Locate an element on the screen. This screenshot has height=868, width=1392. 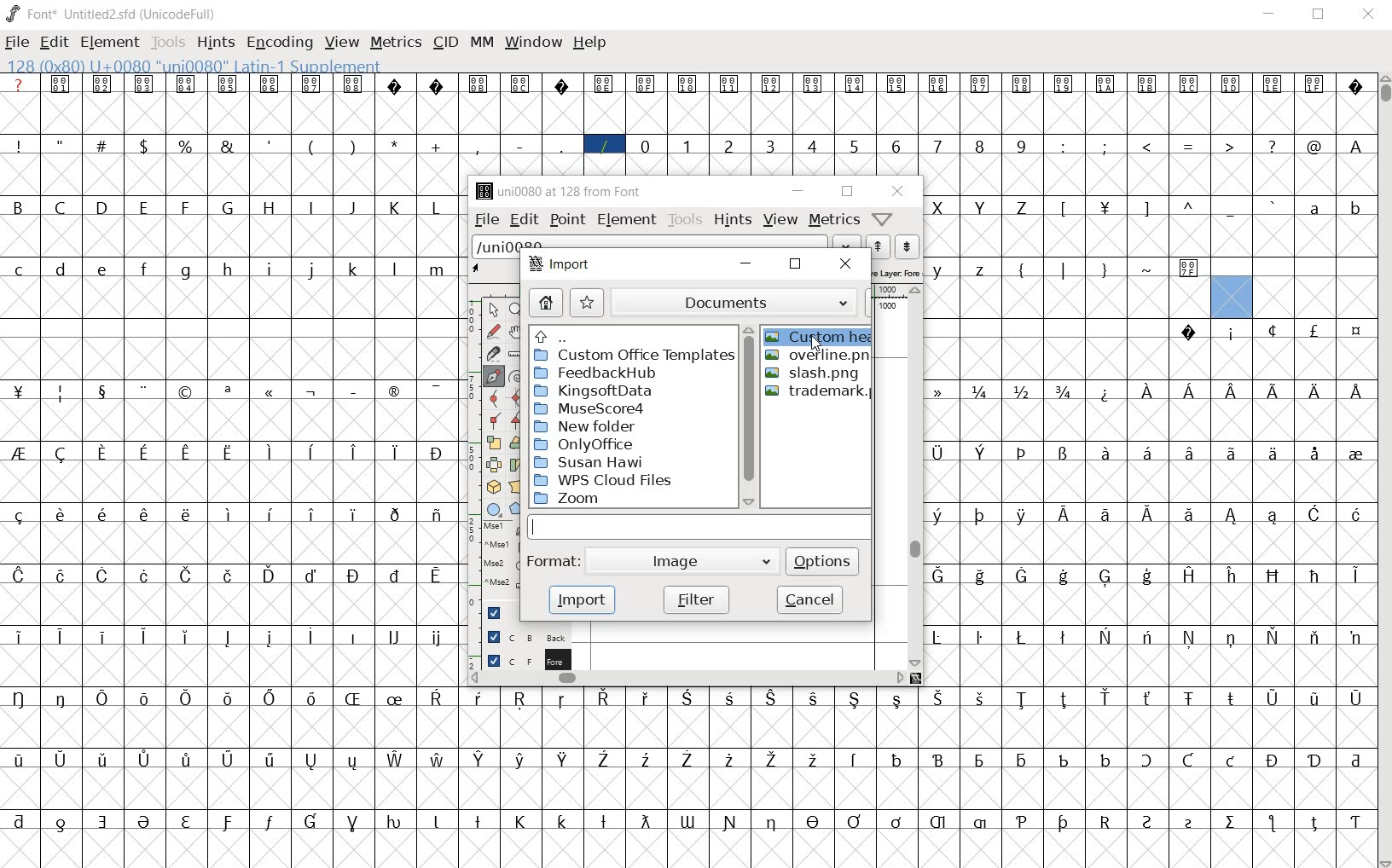
glyph is located at coordinates (1106, 84).